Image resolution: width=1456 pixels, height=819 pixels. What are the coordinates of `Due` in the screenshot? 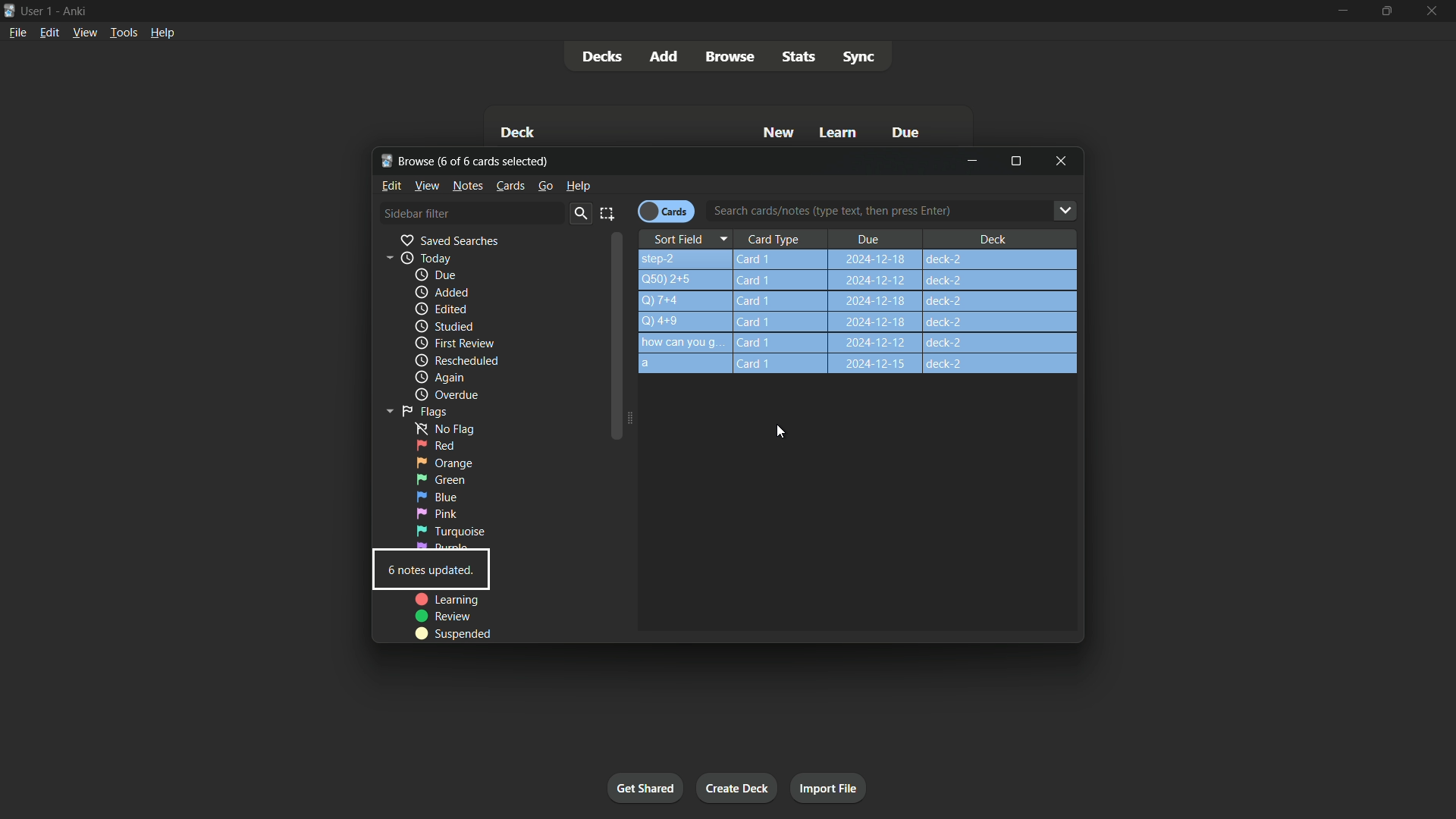 It's located at (903, 132).